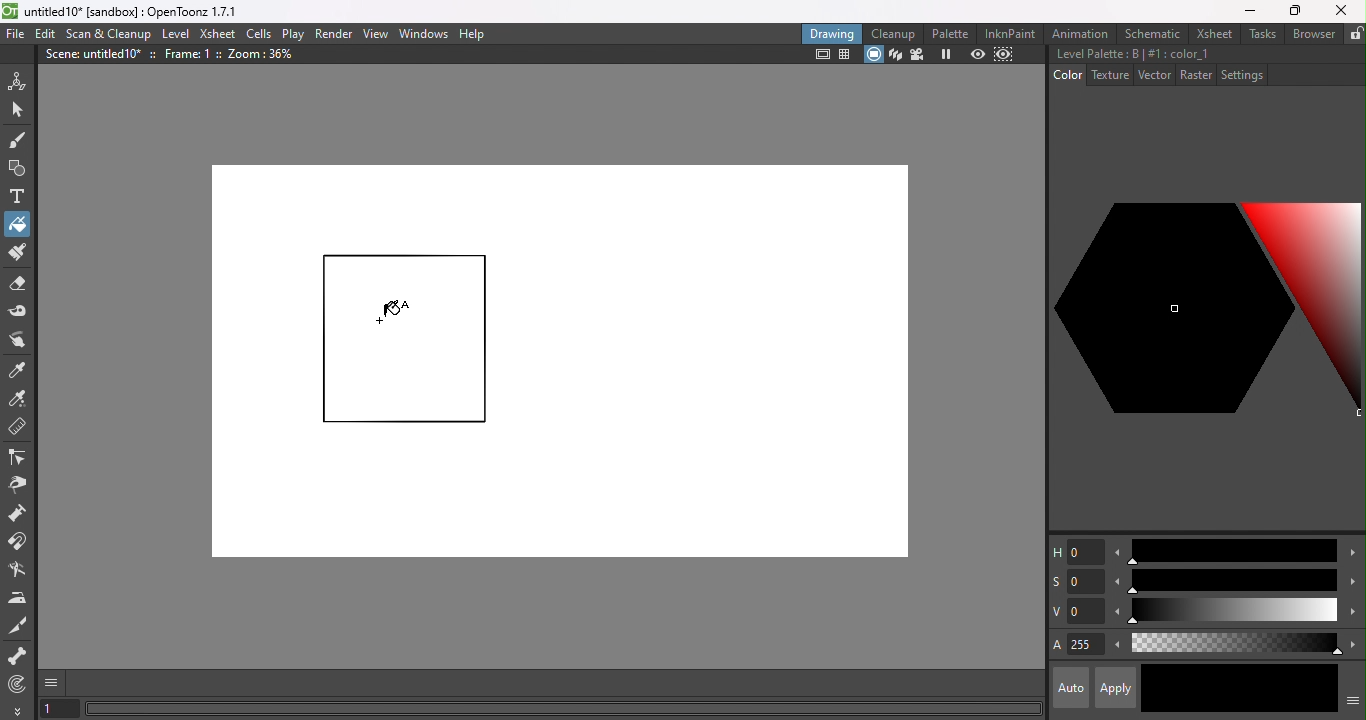 The image size is (1366, 720). Describe the element at coordinates (1071, 688) in the screenshot. I see `Auto` at that location.